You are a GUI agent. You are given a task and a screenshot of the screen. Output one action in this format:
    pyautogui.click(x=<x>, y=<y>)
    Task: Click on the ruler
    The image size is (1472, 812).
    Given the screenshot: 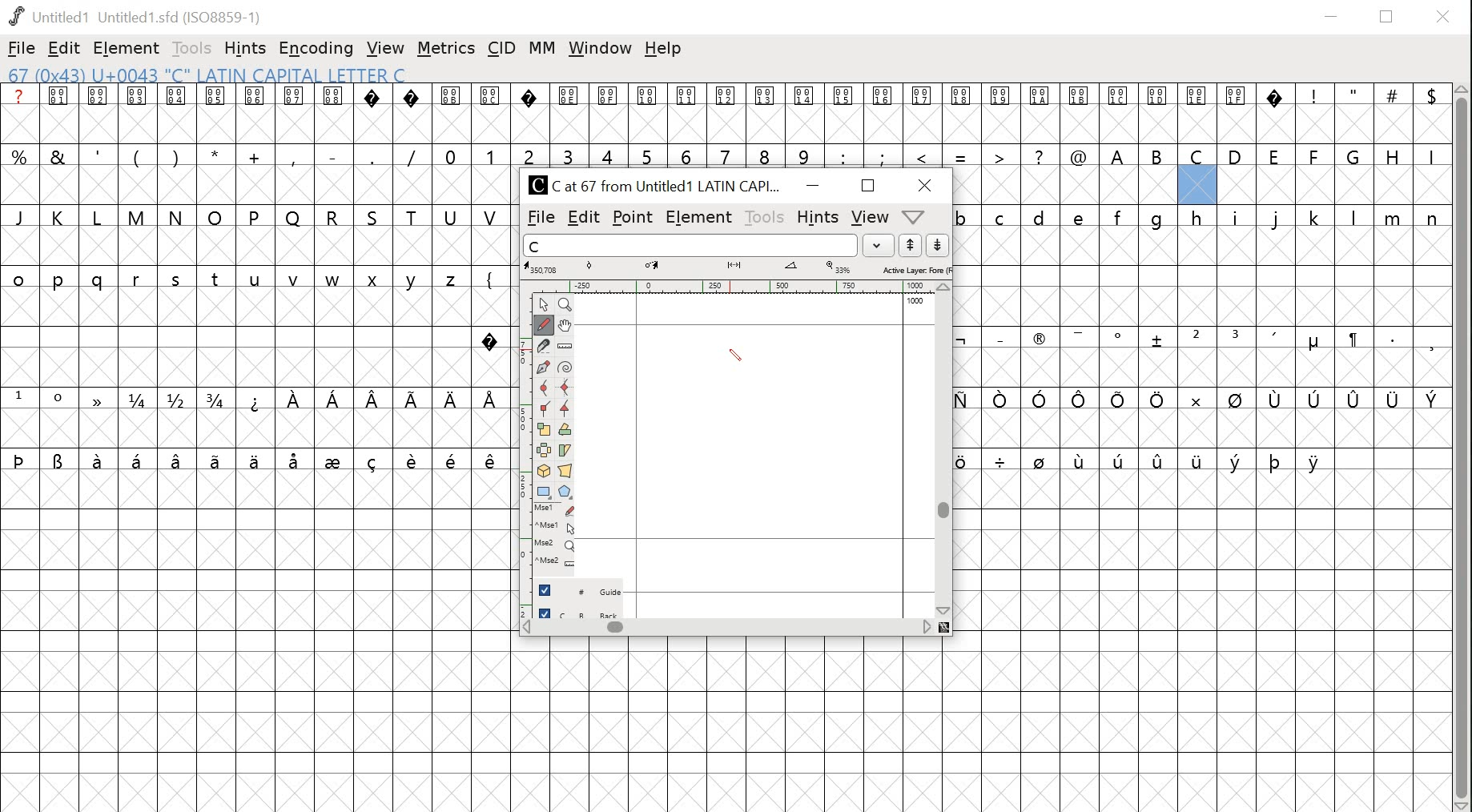 What is the action you would take?
    pyautogui.click(x=567, y=347)
    